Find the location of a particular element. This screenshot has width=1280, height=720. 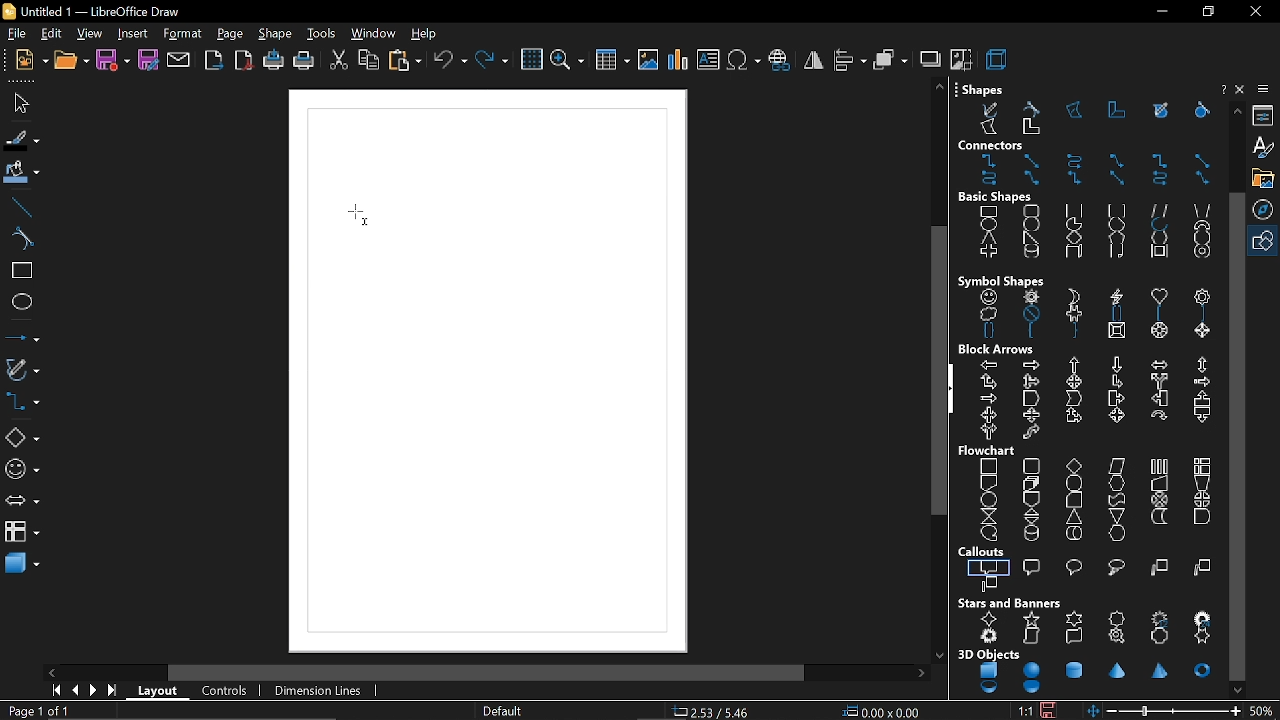

manual preparation is located at coordinates (1202, 482).